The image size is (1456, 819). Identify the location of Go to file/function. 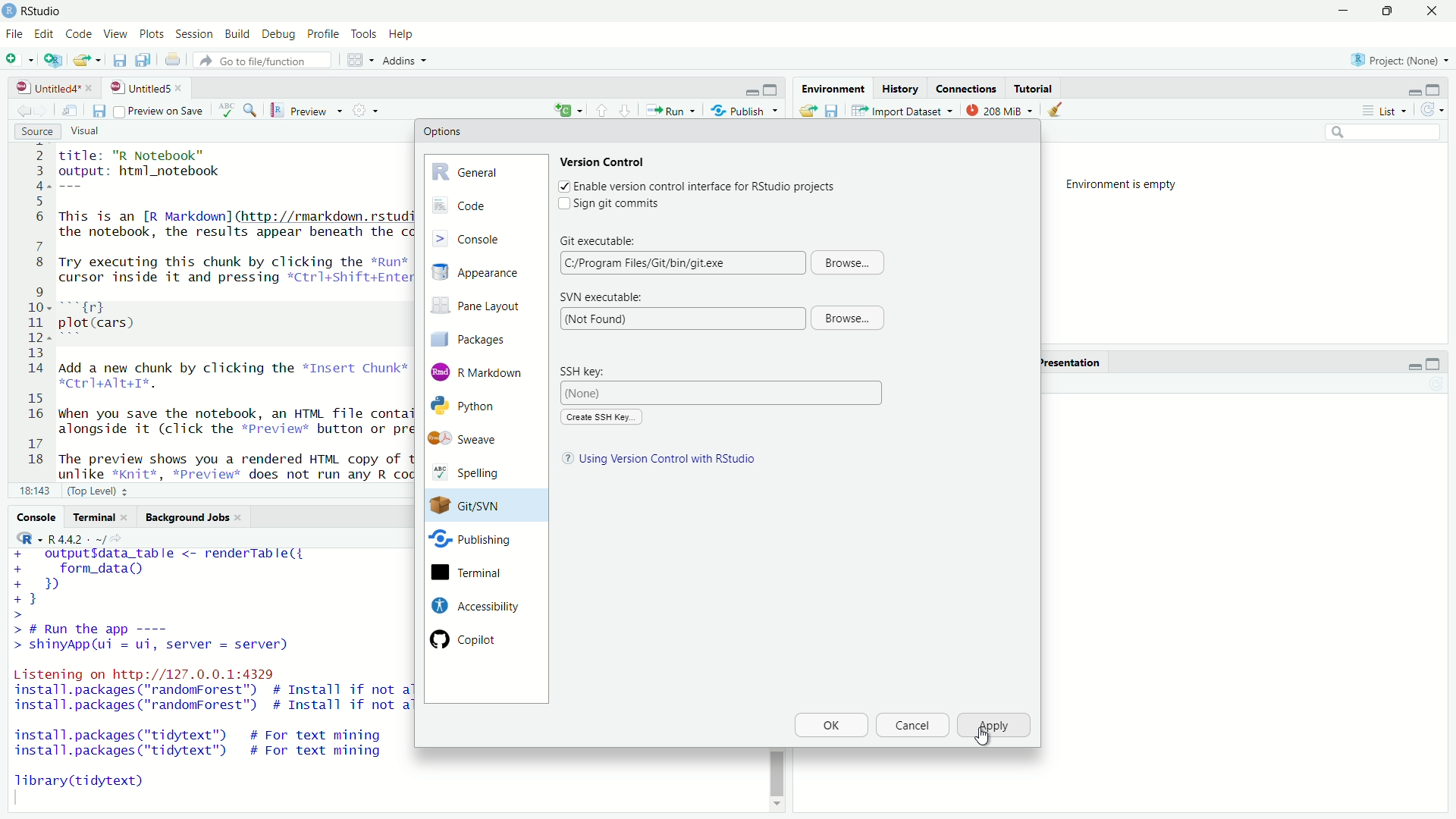
(266, 61).